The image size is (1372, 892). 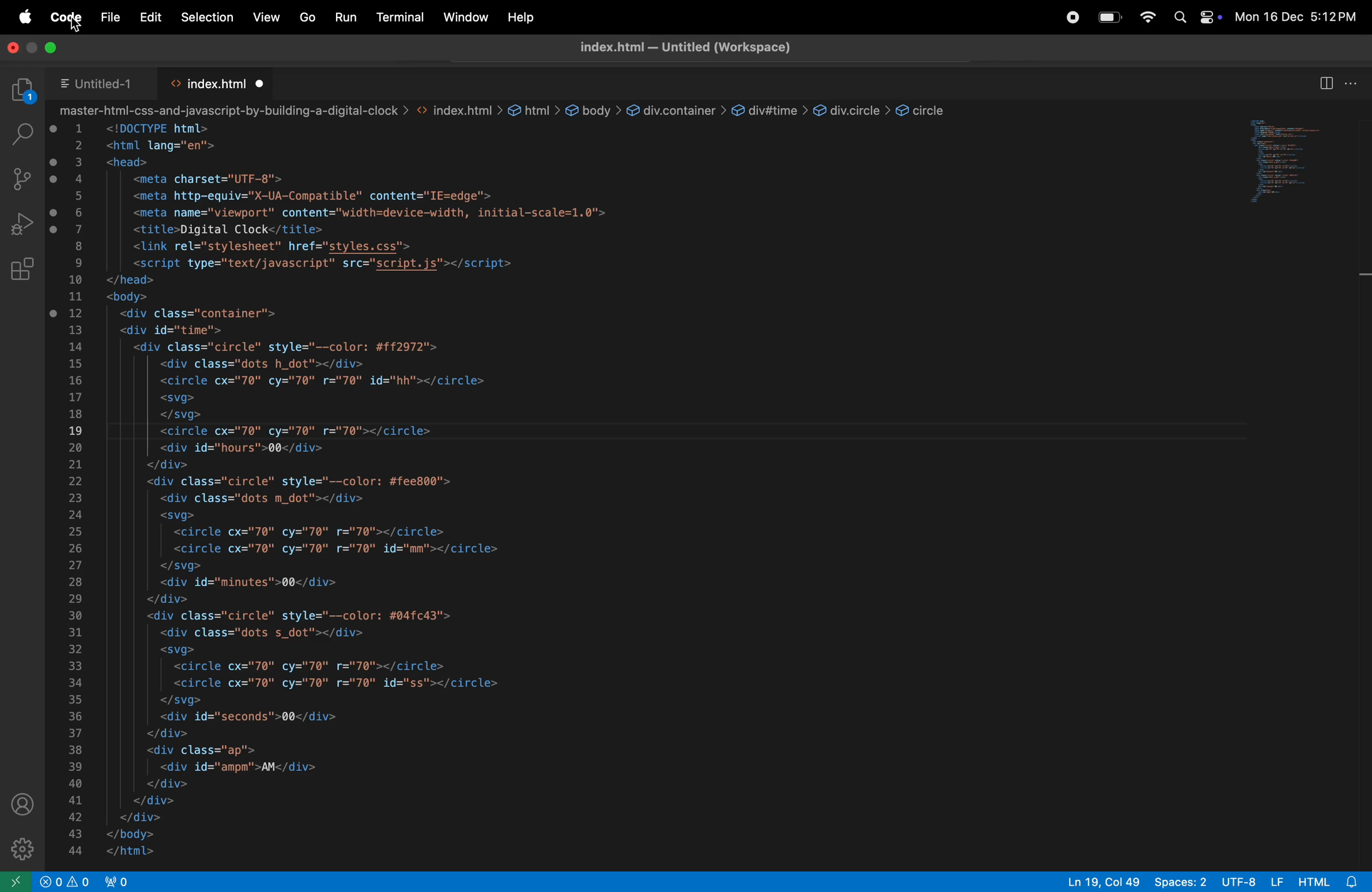 I want to click on <meta http-equiv="X-UA-Compatible" content="IE=edge">, so click(x=316, y=195).